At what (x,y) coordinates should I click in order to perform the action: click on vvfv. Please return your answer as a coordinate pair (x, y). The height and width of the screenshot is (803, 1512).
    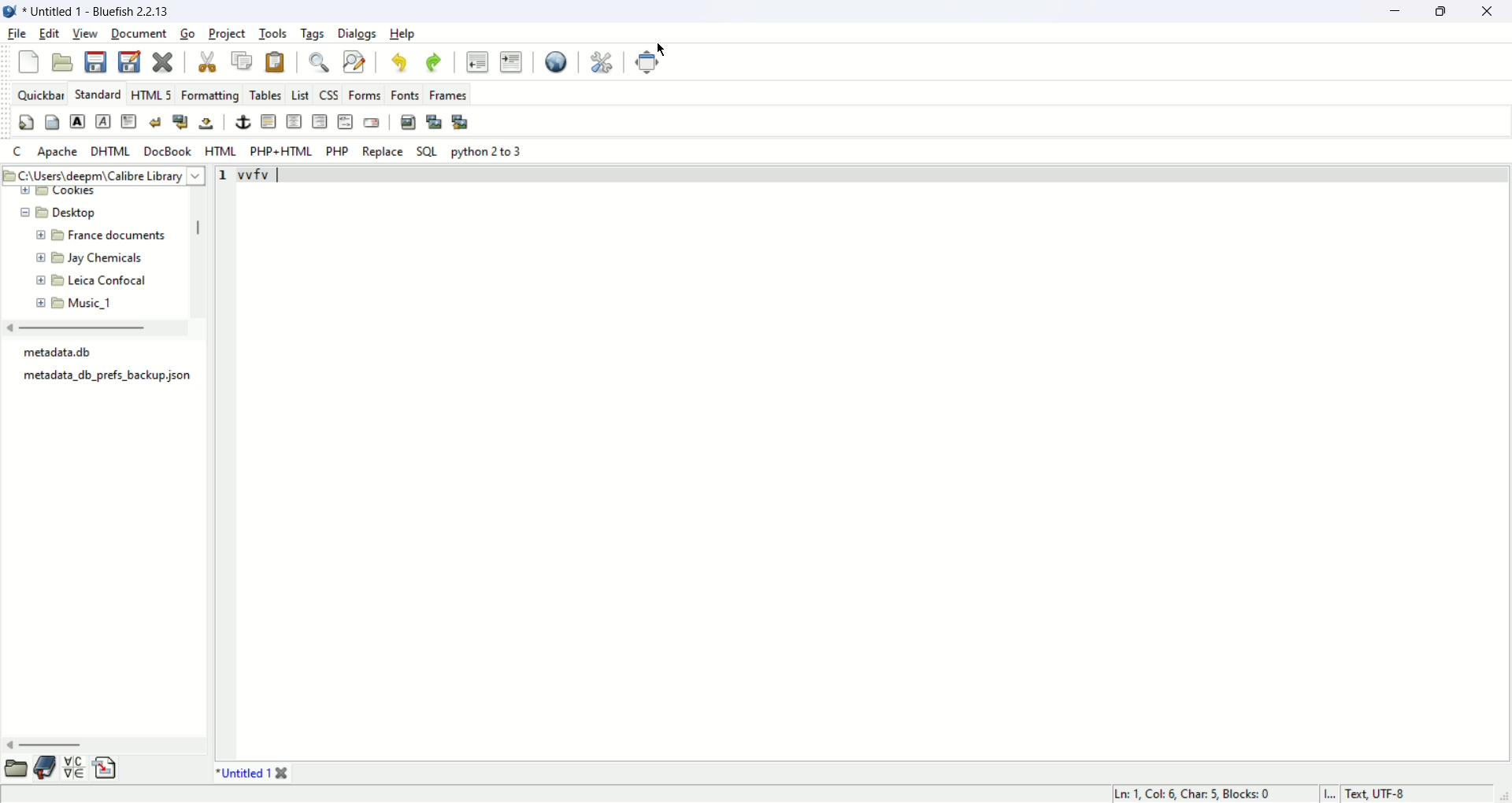
    Looking at the image, I should click on (258, 176).